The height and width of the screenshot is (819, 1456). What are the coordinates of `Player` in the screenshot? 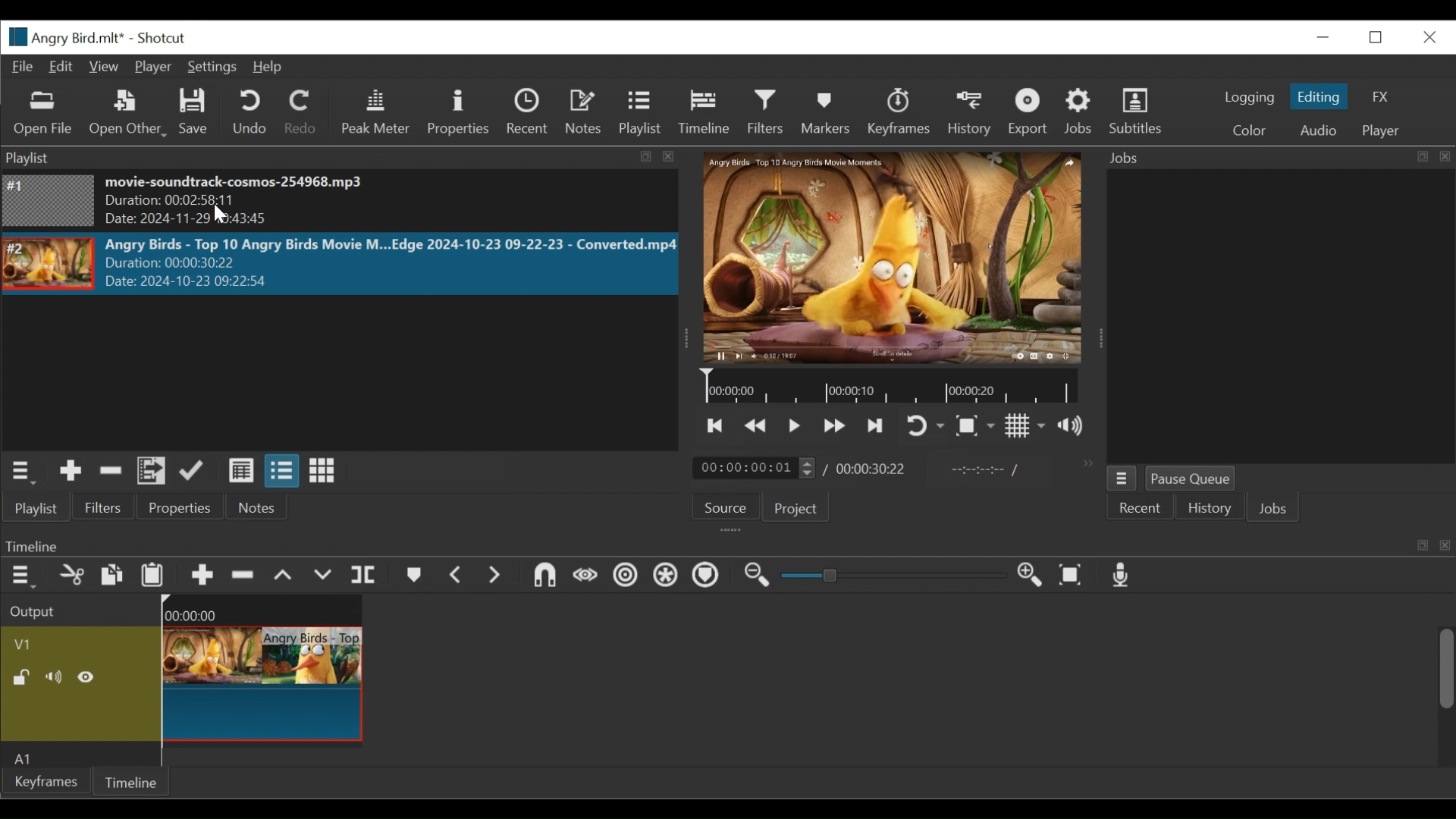 It's located at (1382, 132).